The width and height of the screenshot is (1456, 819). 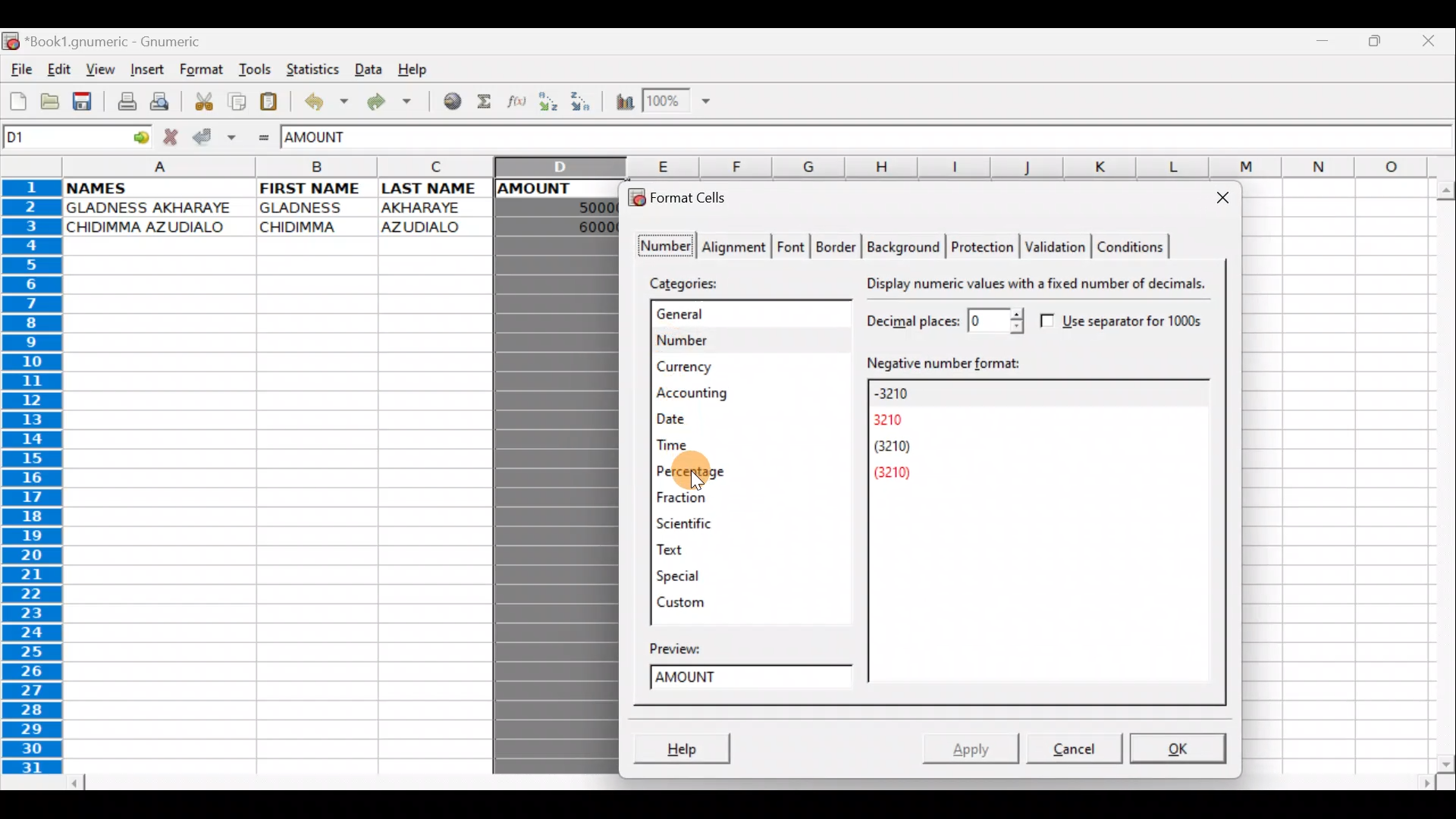 What do you see at coordinates (710, 497) in the screenshot?
I see `Fraction` at bounding box center [710, 497].